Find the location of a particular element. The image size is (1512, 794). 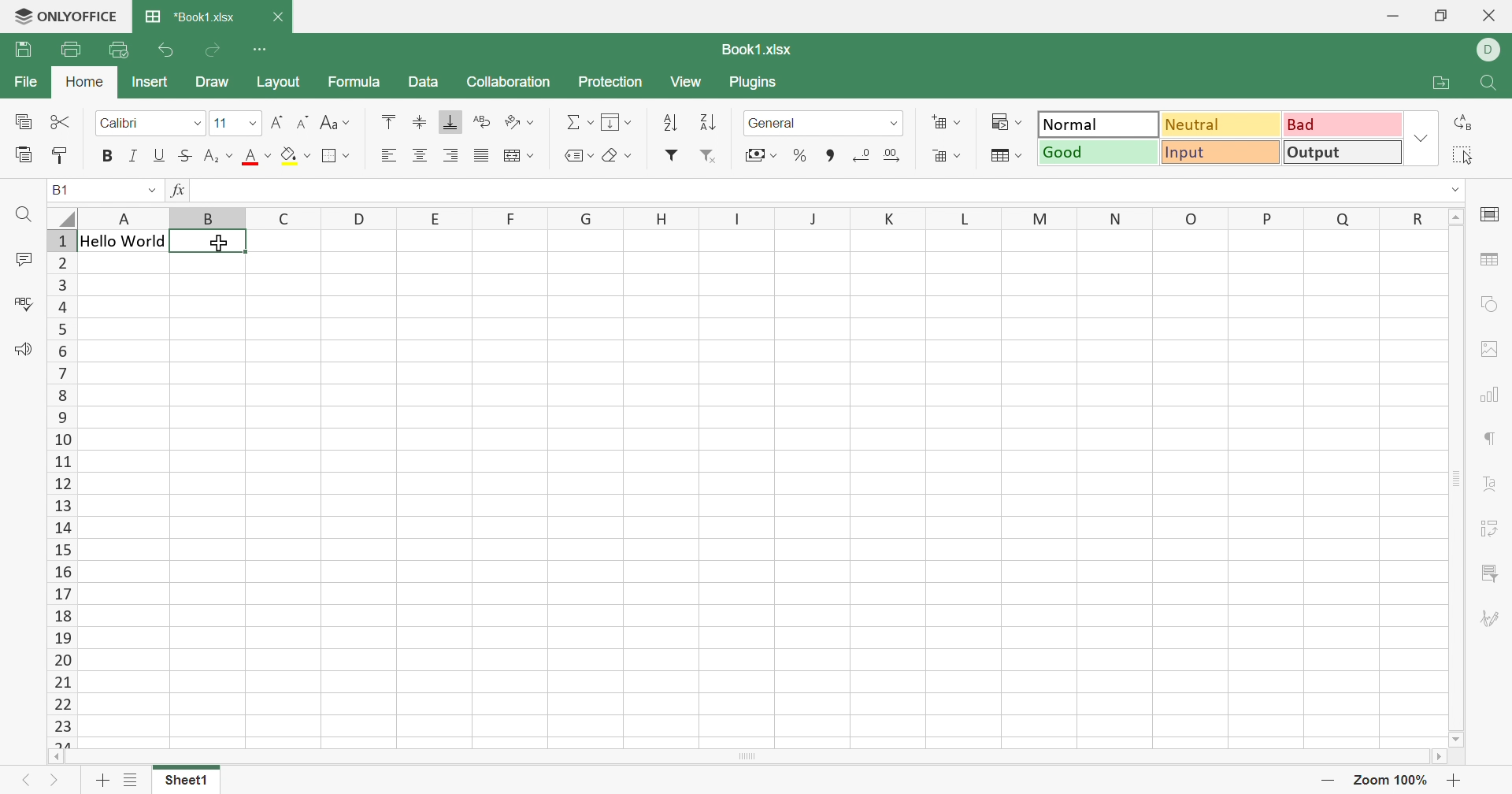

Next is located at coordinates (52, 781).